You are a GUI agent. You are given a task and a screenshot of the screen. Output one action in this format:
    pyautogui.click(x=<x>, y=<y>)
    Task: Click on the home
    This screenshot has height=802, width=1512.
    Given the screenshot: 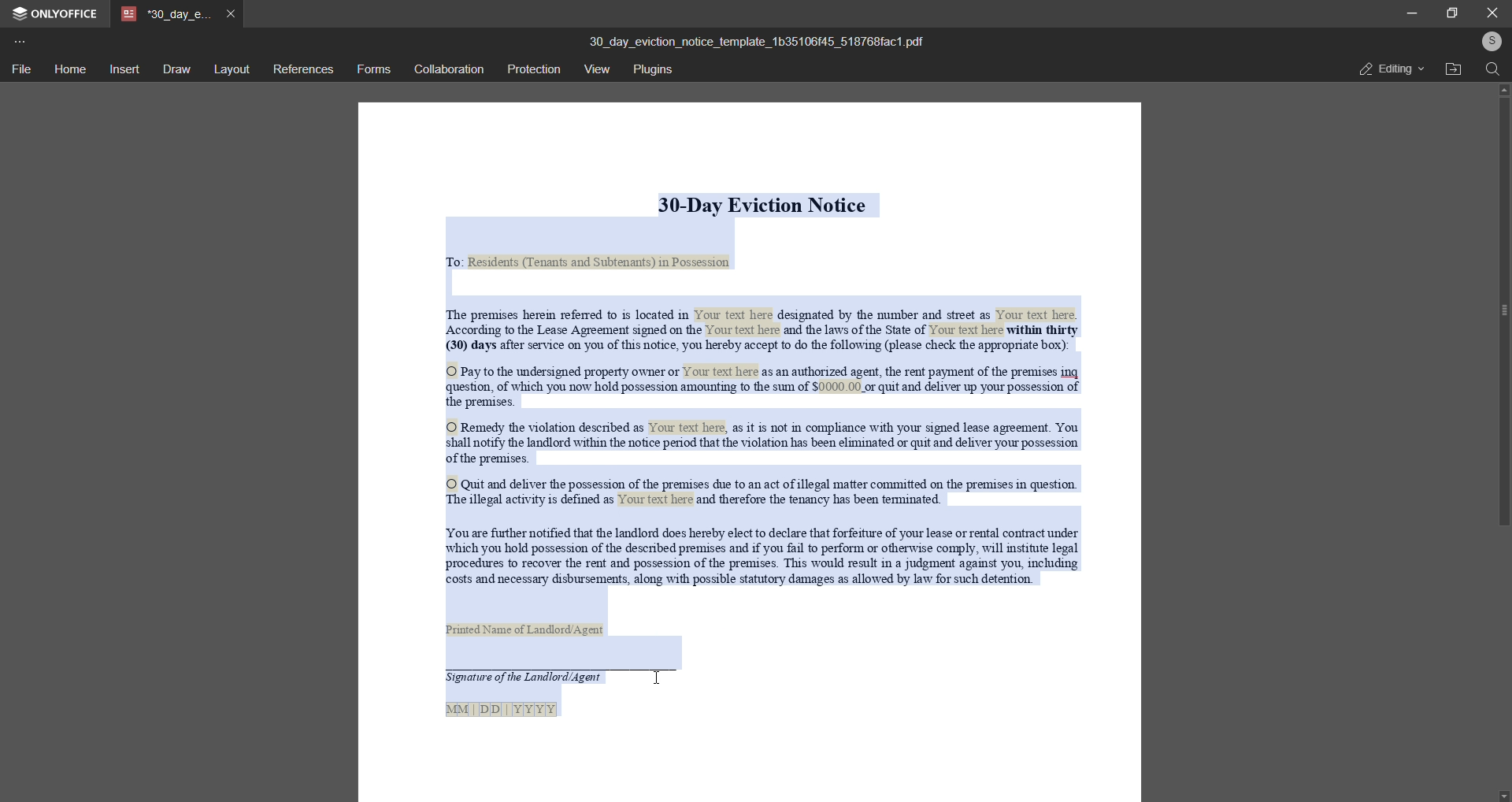 What is the action you would take?
    pyautogui.click(x=68, y=69)
    